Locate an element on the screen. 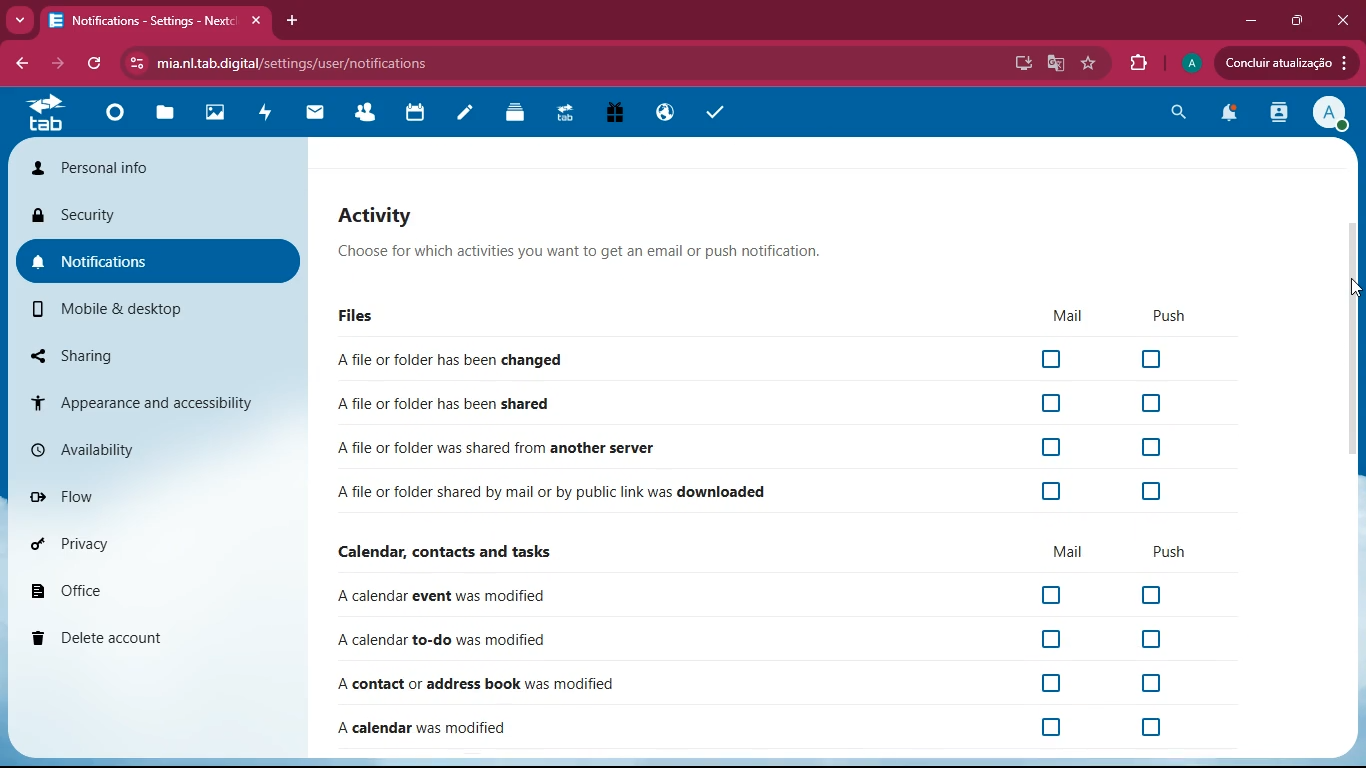  privacy is located at coordinates (160, 542).